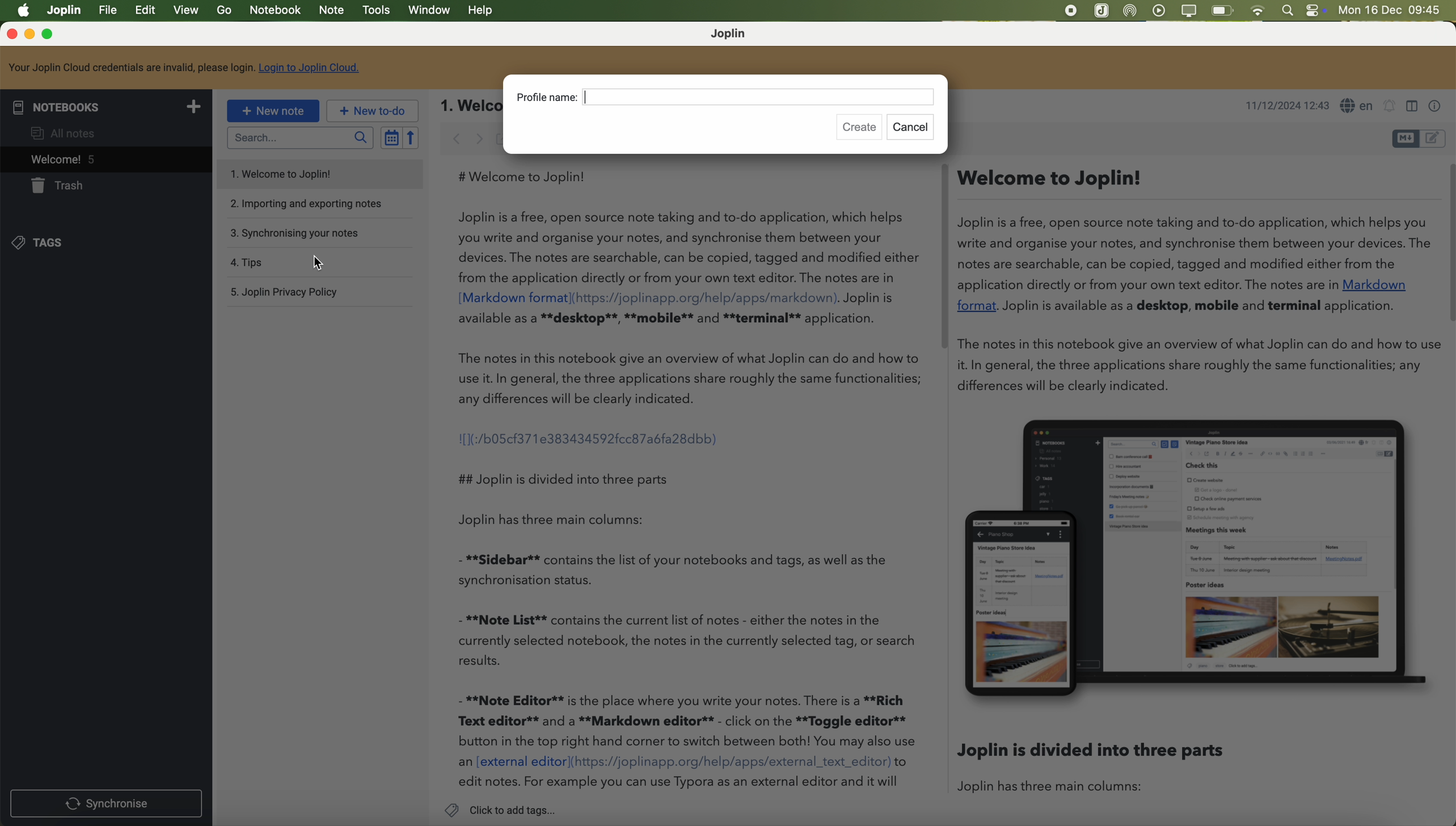 The height and width of the screenshot is (826, 1456). I want to click on Joplin, so click(731, 34).